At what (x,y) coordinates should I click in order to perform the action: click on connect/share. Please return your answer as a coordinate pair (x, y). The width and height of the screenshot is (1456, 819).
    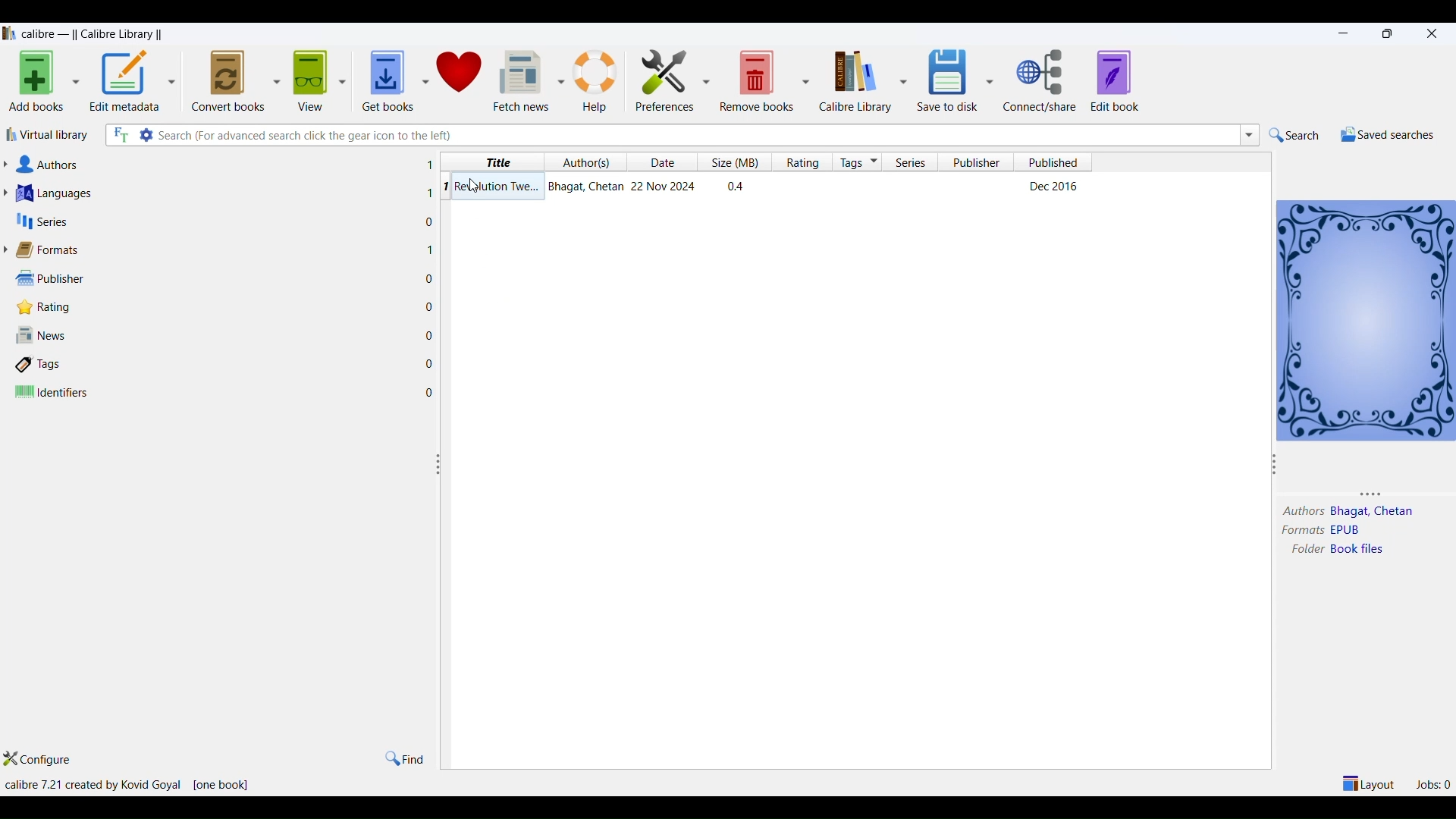
    Looking at the image, I should click on (1040, 82).